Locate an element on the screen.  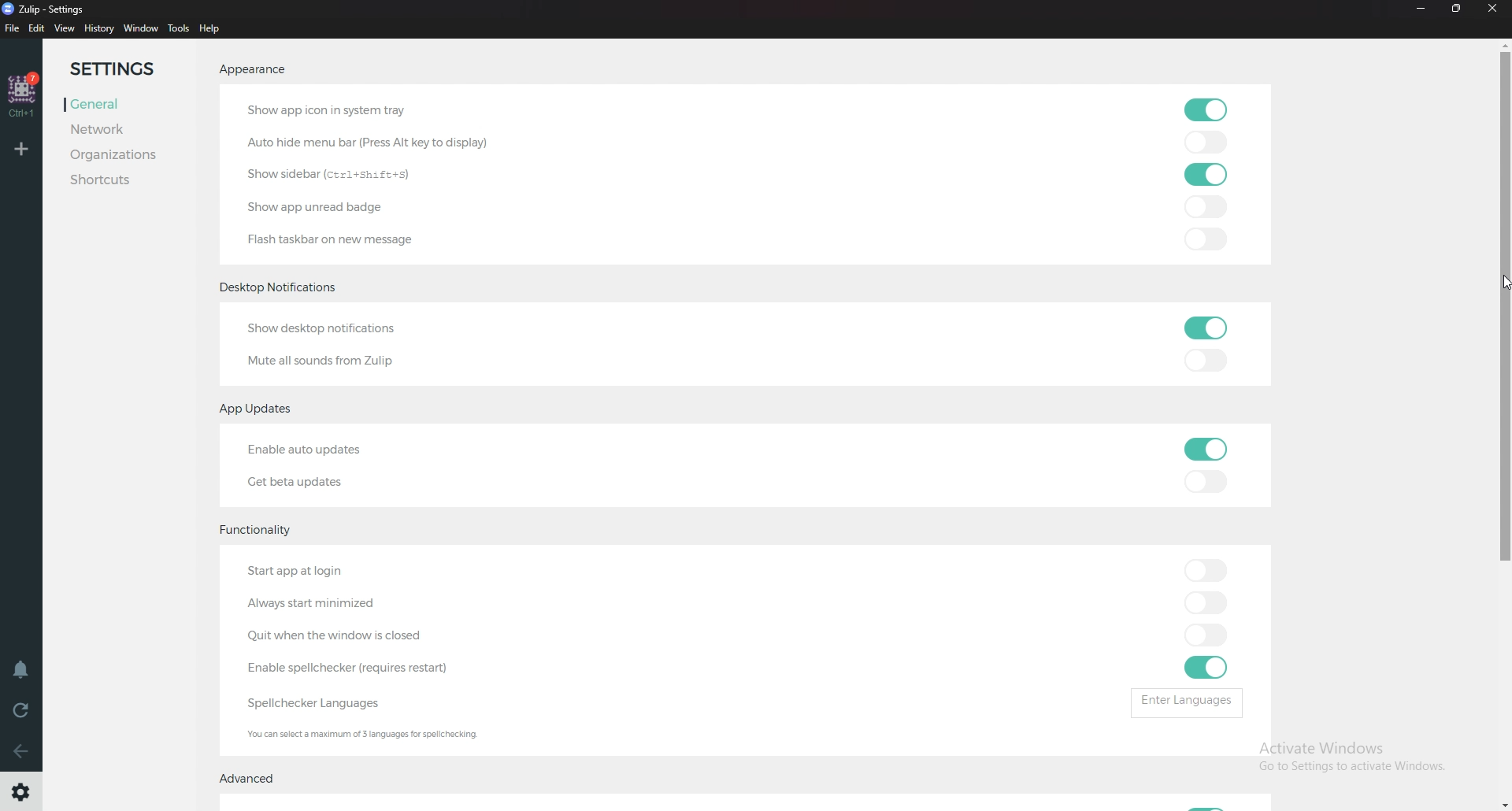
Show desktop notifications is located at coordinates (340, 330).